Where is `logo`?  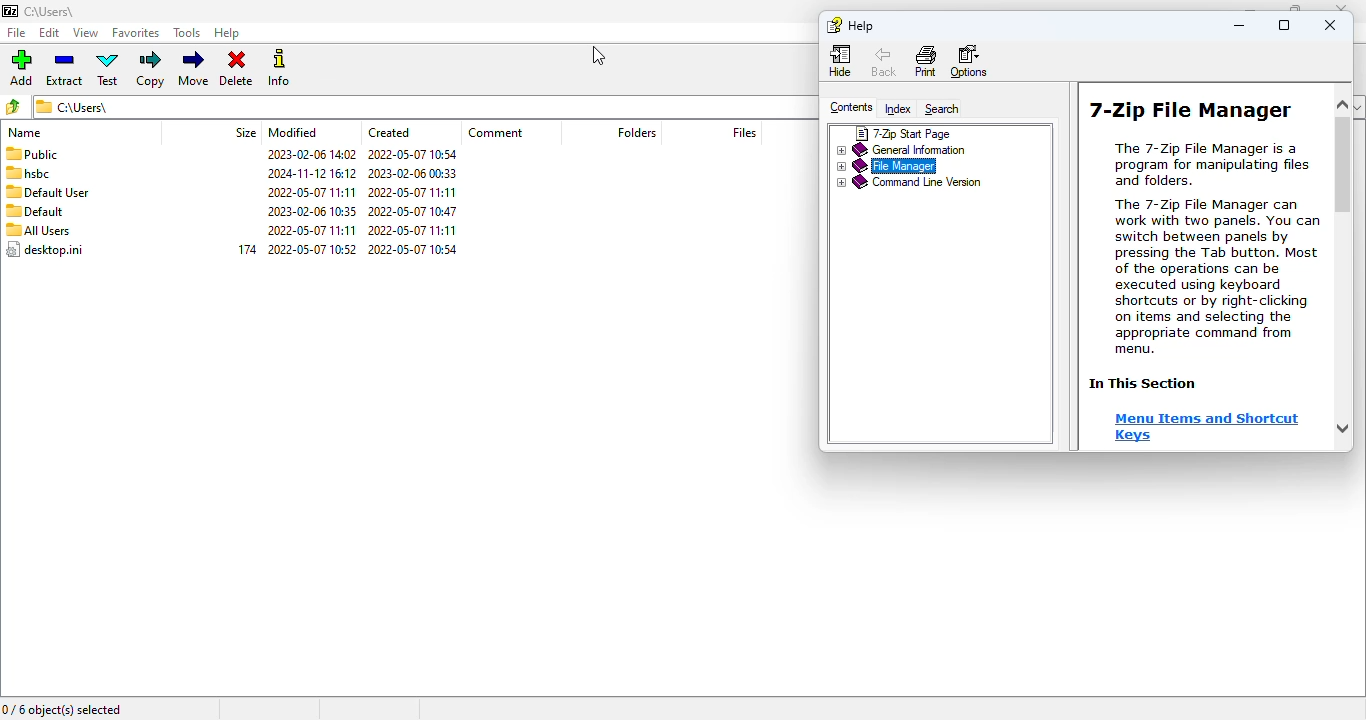 logo is located at coordinates (10, 11).